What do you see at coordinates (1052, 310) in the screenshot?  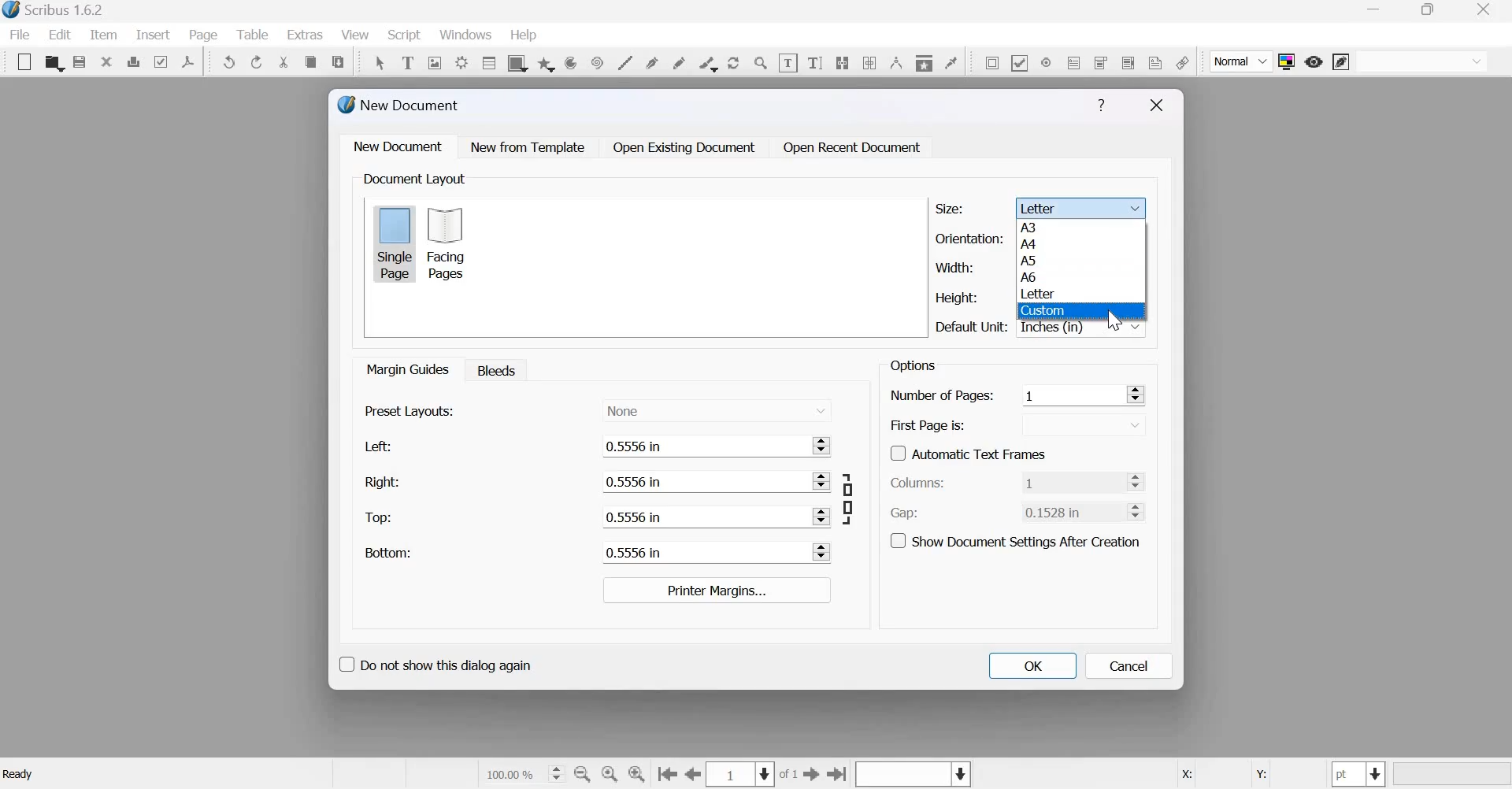 I see `Custom` at bounding box center [1052, 310].